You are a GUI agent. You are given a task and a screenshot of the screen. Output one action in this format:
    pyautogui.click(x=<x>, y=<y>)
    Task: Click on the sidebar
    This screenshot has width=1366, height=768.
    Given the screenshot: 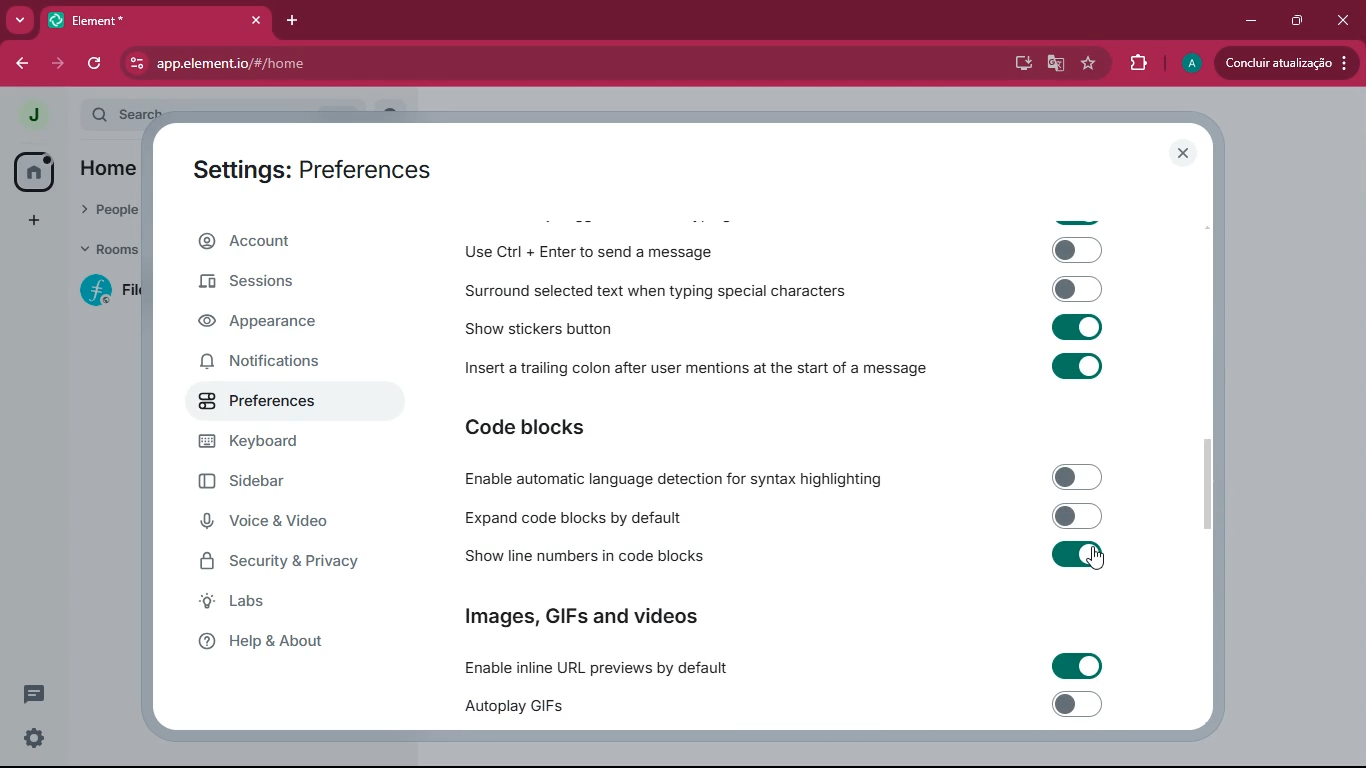 What is the action you would take?
    pyautogui.click(x=278, y=482)
    